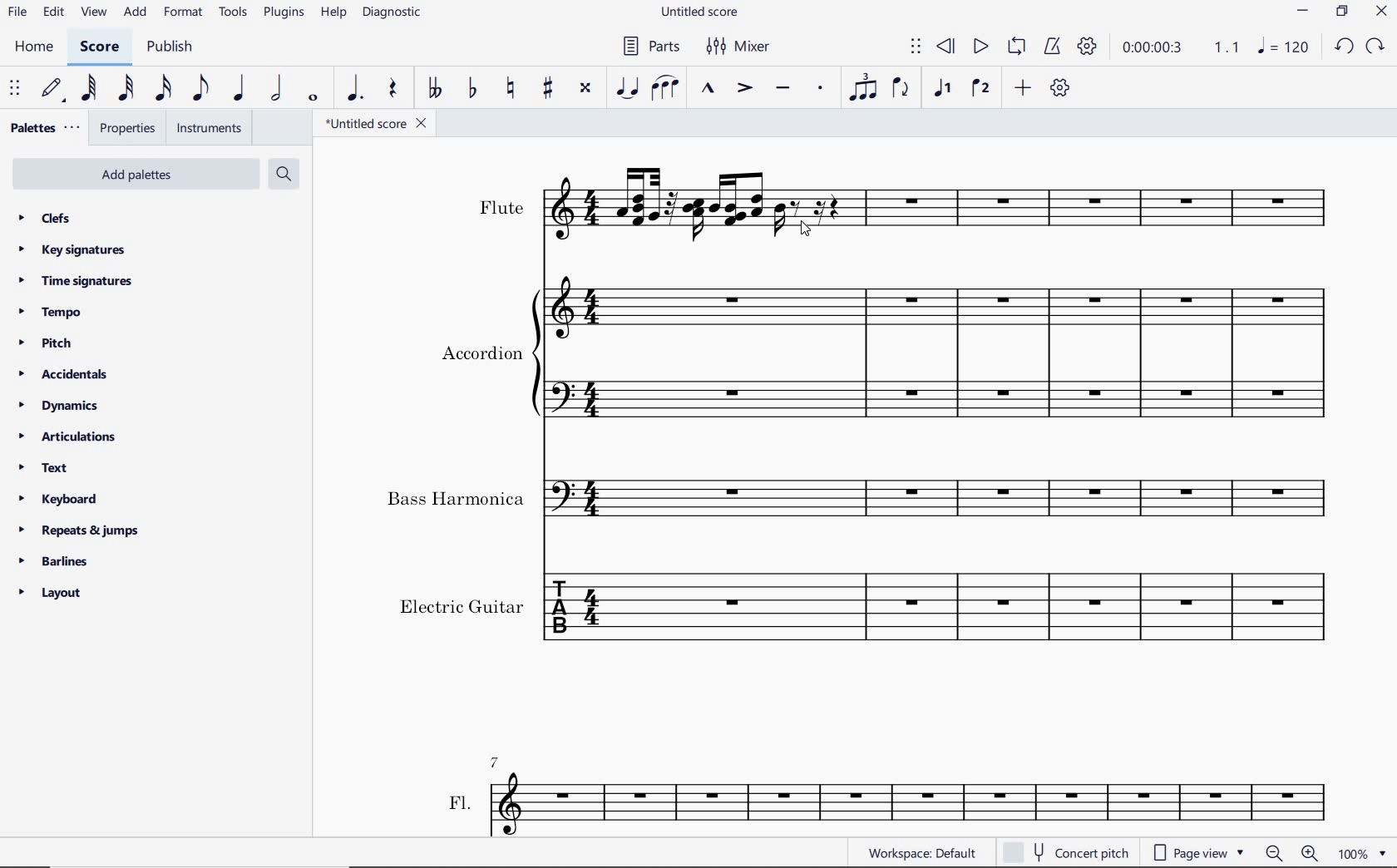 Image resolution: width=1397 pixels, height=868 pixels. What do you see at coordinates (627, 86) in the screenshot?
I see `tie` at bounding box center [627, 86].